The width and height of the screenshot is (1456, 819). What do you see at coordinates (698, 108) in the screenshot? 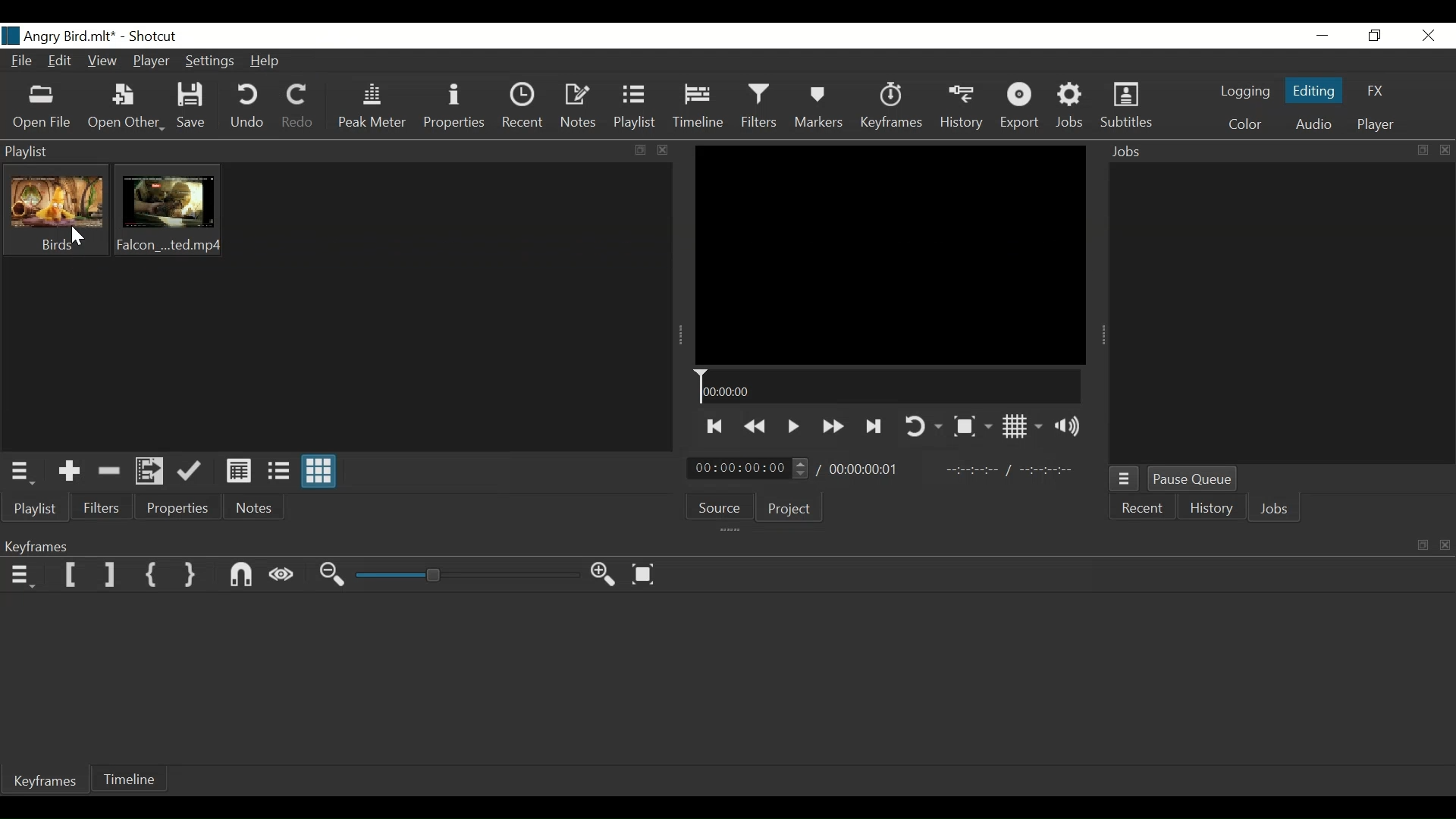
I see `Timeline` at bounding box center [698, 108].